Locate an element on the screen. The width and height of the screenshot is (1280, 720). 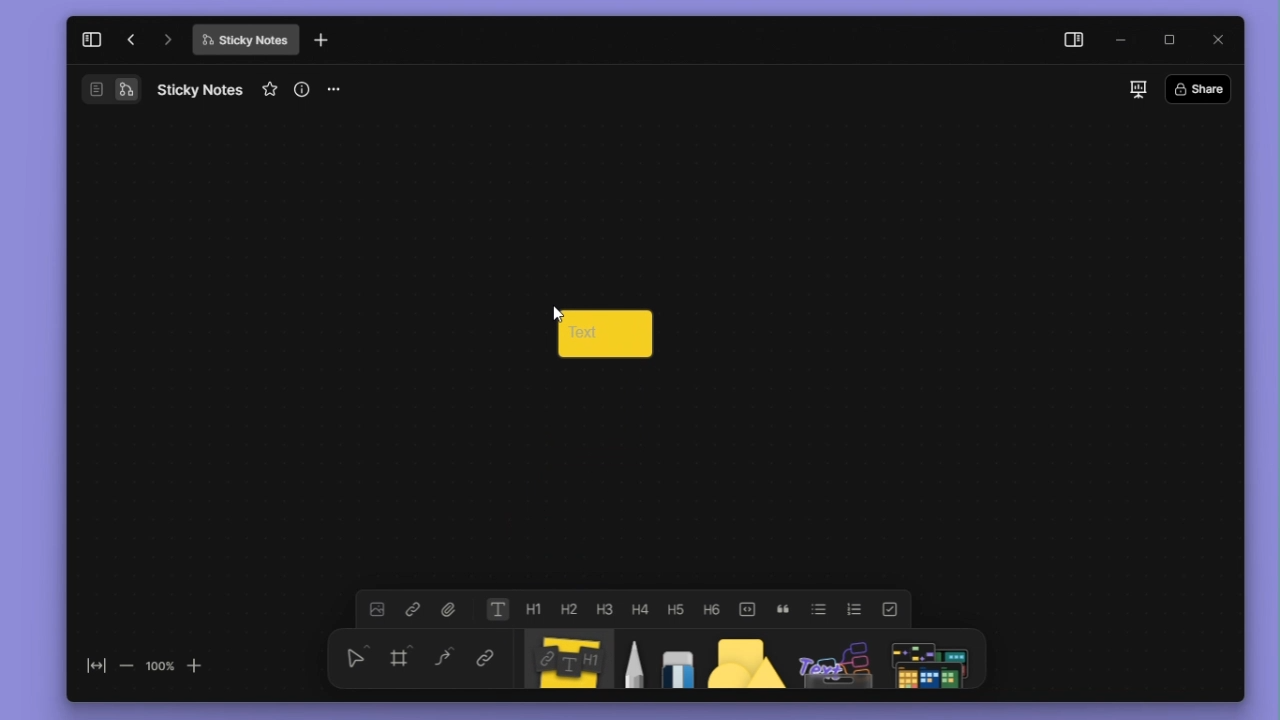
shape is located at coordinates (743, 659).